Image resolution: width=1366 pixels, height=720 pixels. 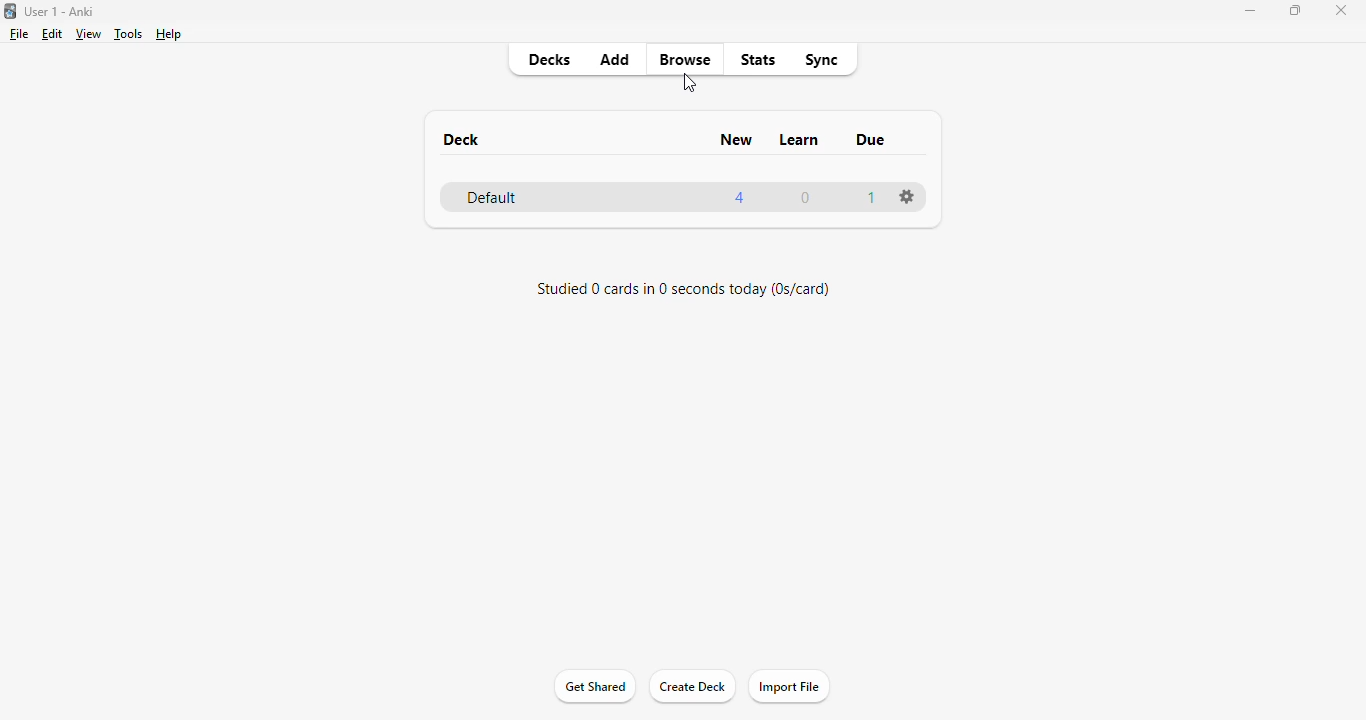 What do you see at coordinates (616, 60) in the screenshot?
I see `add` at bounding box center [616, 60].